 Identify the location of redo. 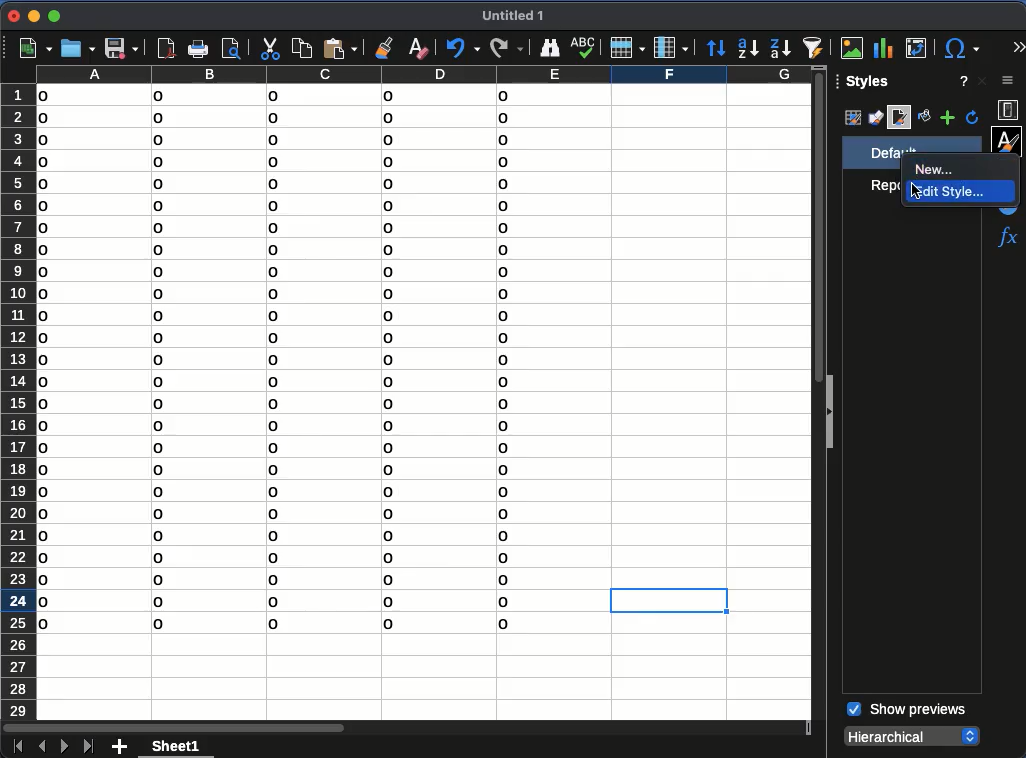
(506, 46).